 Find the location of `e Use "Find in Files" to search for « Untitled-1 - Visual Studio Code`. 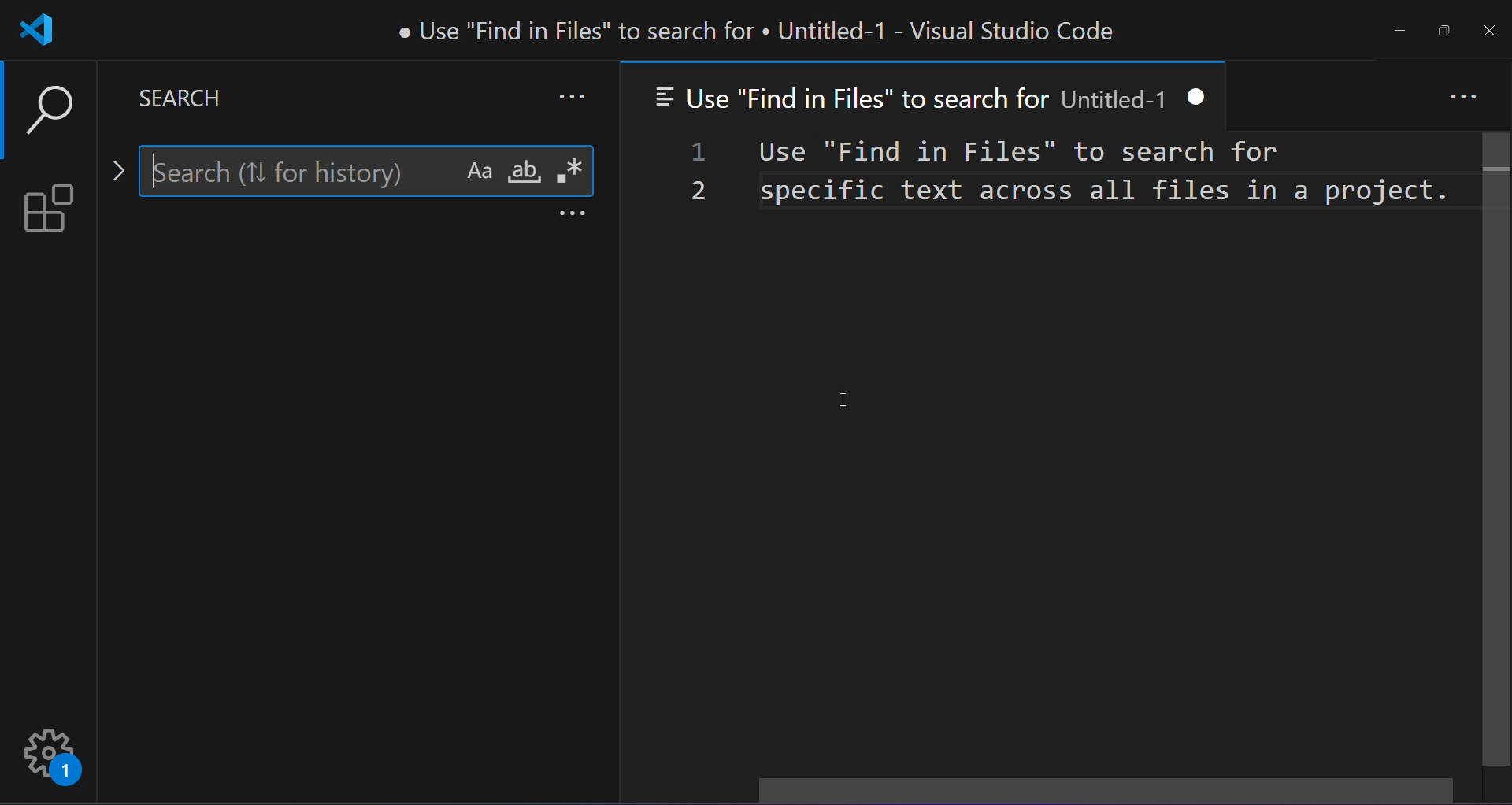

e Use "Find in Files" to search for « Untitled-1 - Visual Studio Code is located at coordinates (758, 31).